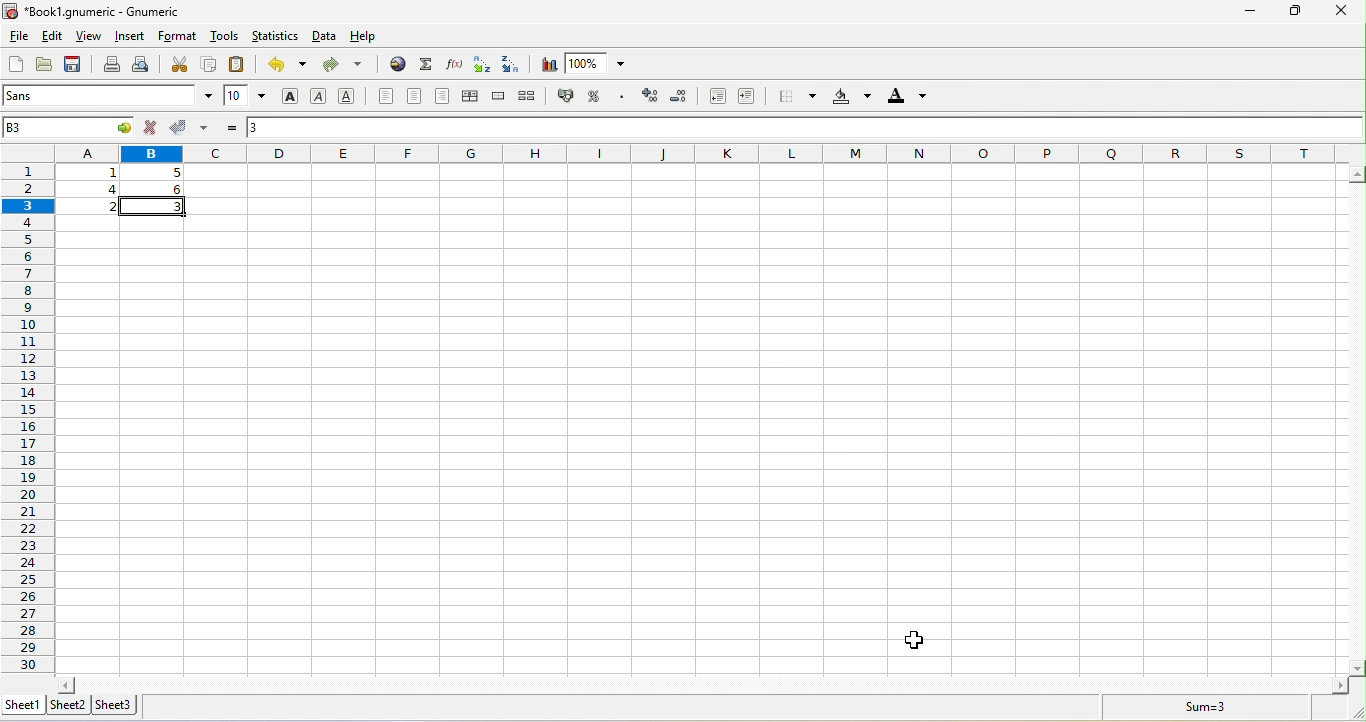 The height and width of the screenshot is (722, 1366). Describe the element at coordinates (27, 407) in the screenshot. I see `rows` at that location.